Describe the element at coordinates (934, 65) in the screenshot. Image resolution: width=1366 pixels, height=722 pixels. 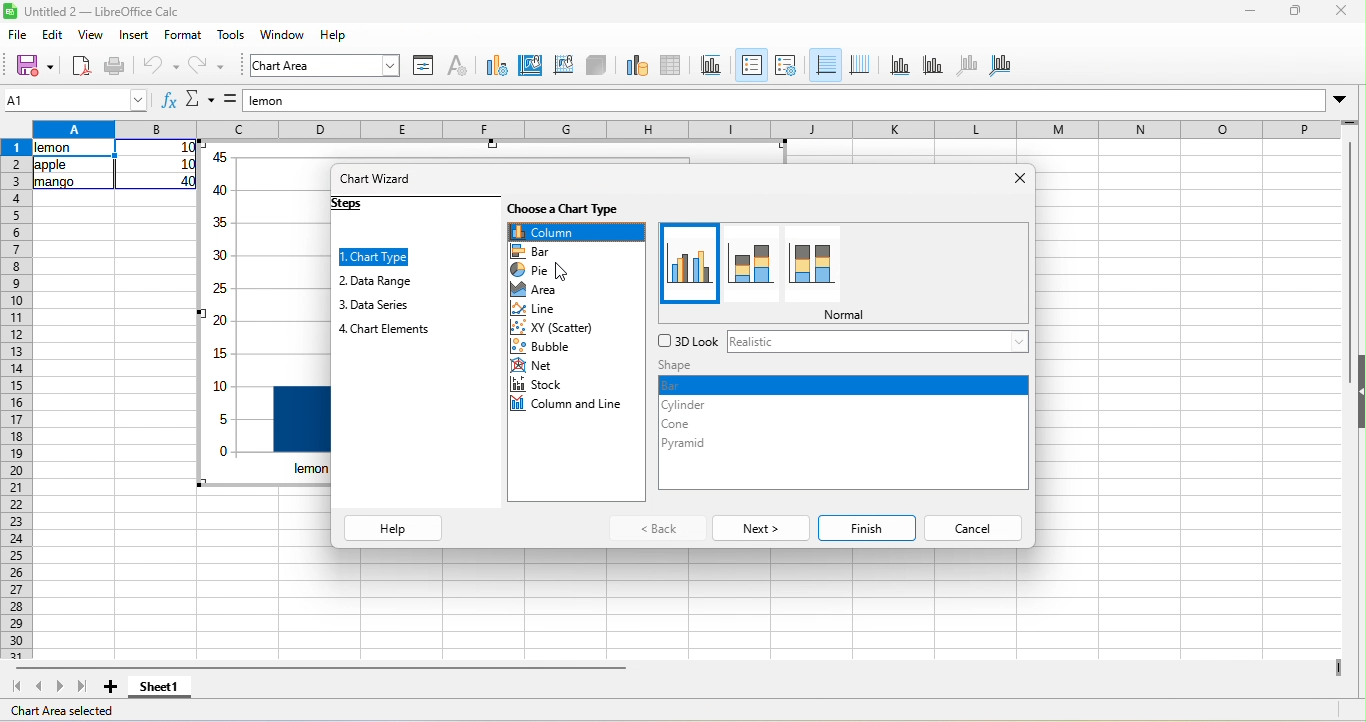
I see `y axis` at that location.